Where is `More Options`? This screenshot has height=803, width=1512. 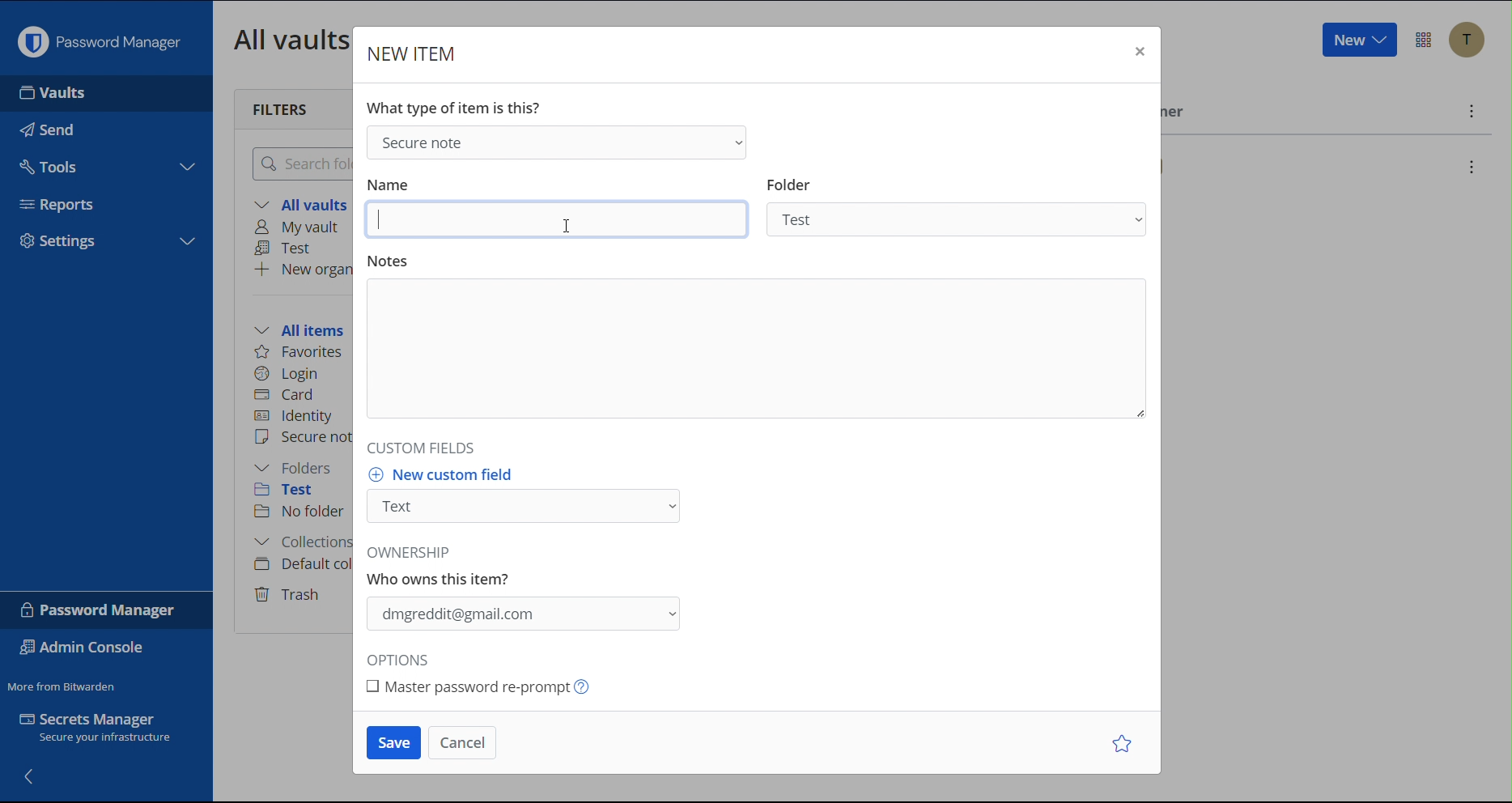 More Options is located at coordinates (1424, 40).